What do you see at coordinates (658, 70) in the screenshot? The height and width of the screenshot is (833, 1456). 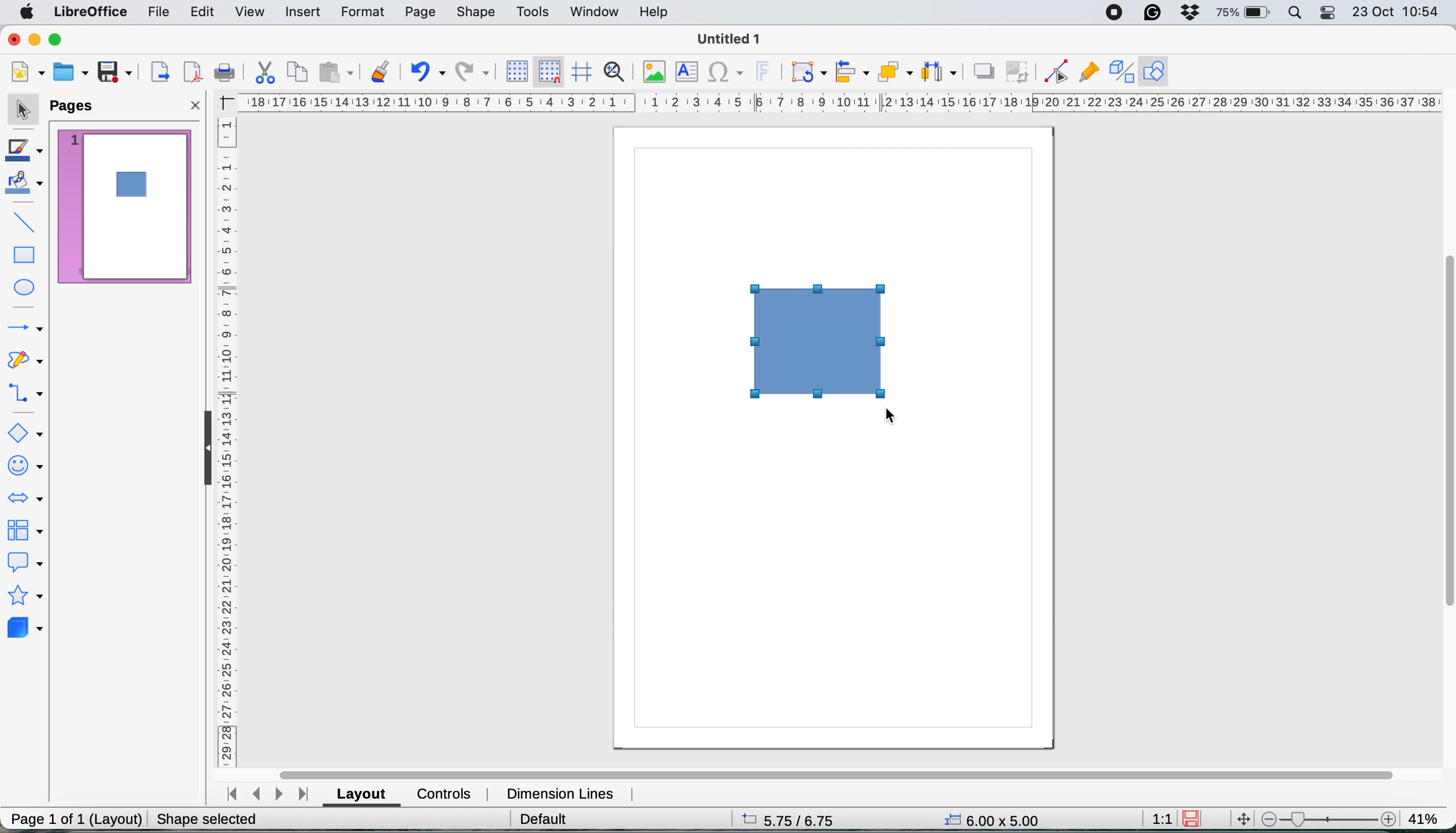 I see `insert image` at bounding box center [658, 70].